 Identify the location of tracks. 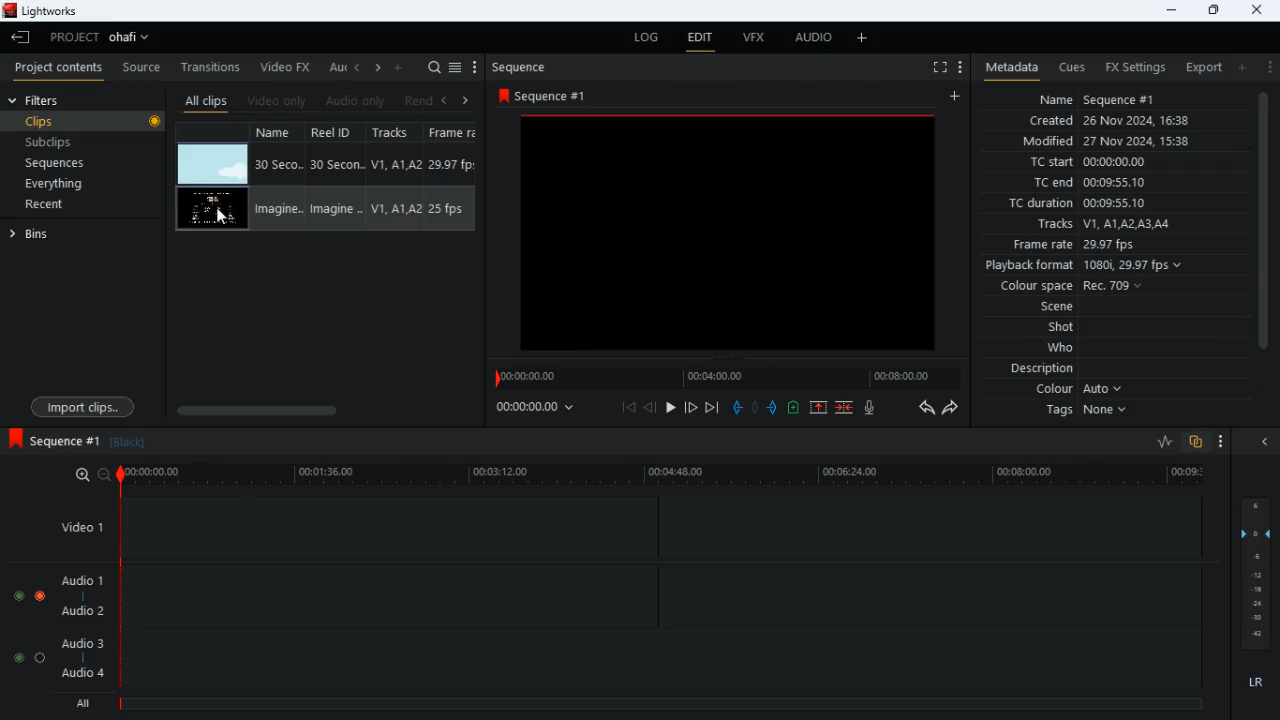
(396, 177).